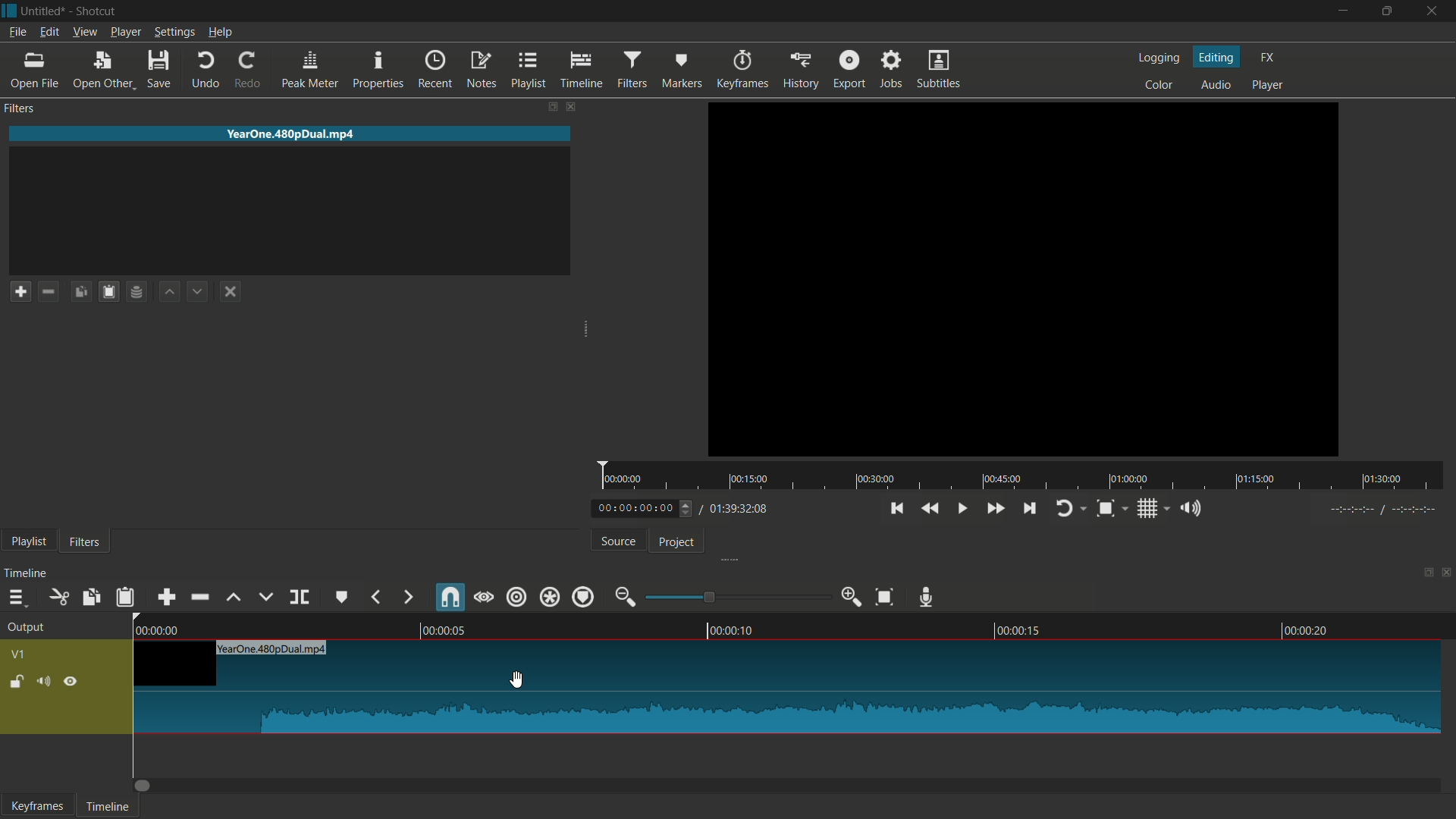 The image size is (1456, 819). Describe the element at coordinates (1266, 57) in the screenshot. I see `fx` at that location.